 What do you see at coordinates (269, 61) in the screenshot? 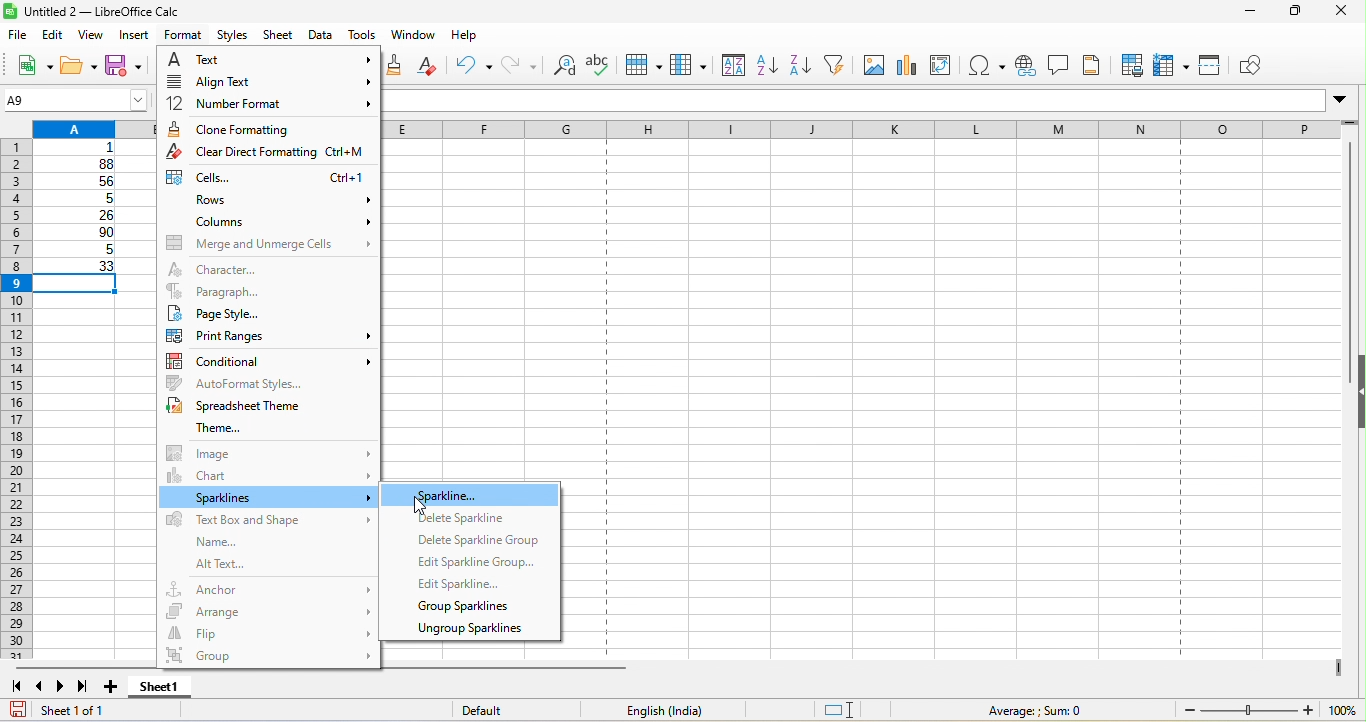
I see `text` at bounding box center [269, 61].